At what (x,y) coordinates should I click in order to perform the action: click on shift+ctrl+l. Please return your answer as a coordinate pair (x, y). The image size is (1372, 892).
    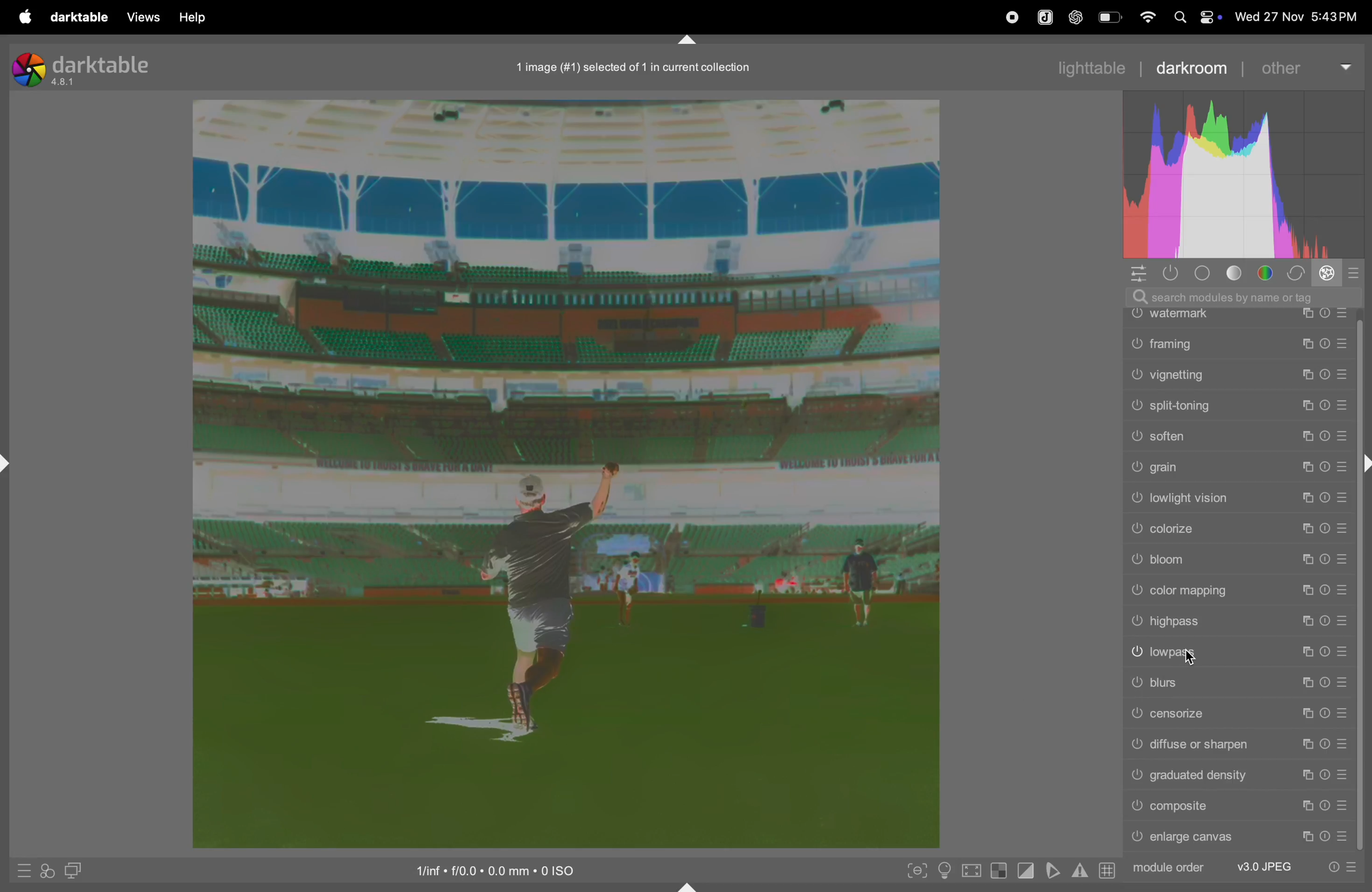
    Looking at the image, I should click on (9, 463).